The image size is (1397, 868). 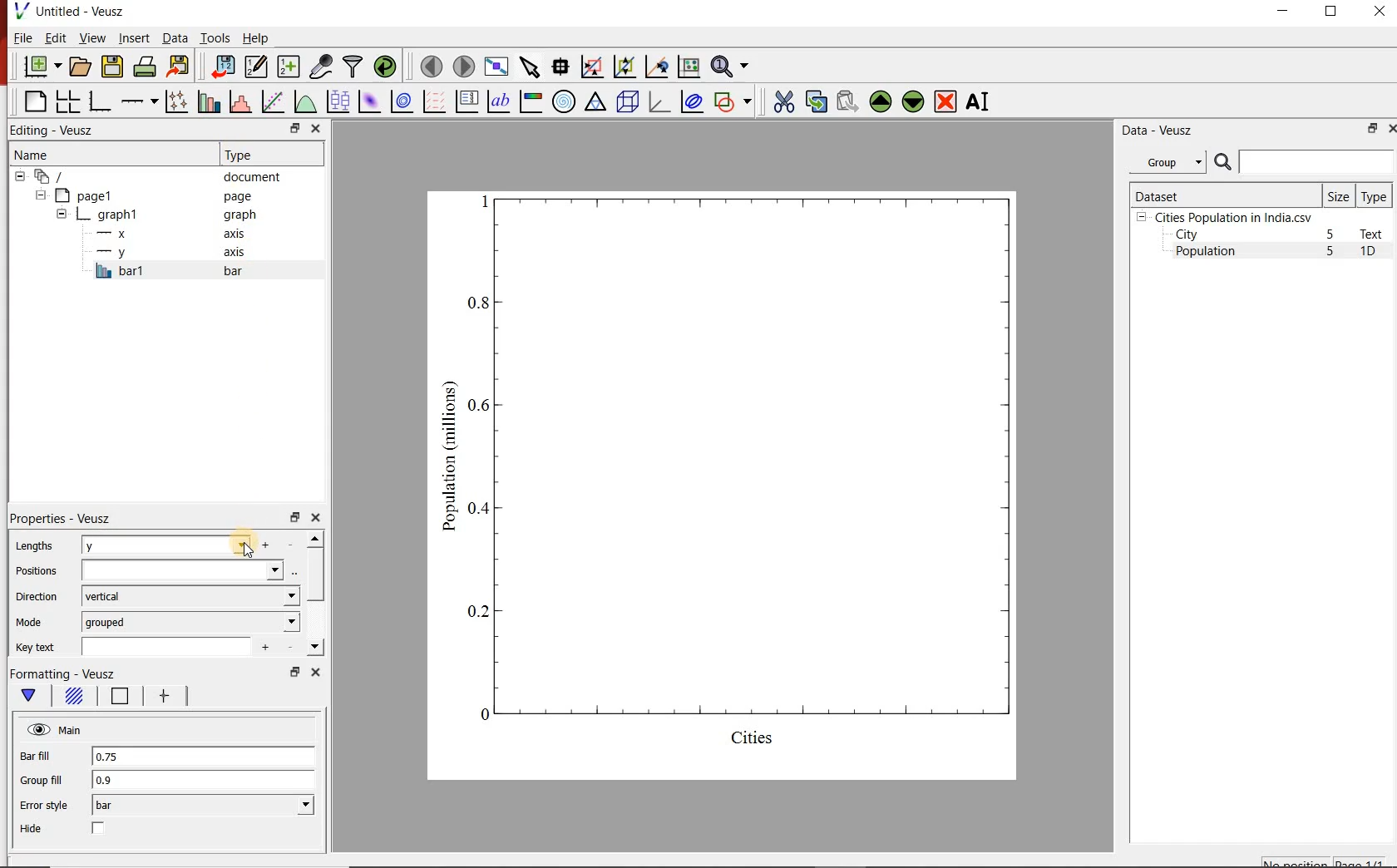 What do you see at coordinates (529, 66) in the screenshot?
I see `select items from the graph or scroll` at bounding box center [529, 66].